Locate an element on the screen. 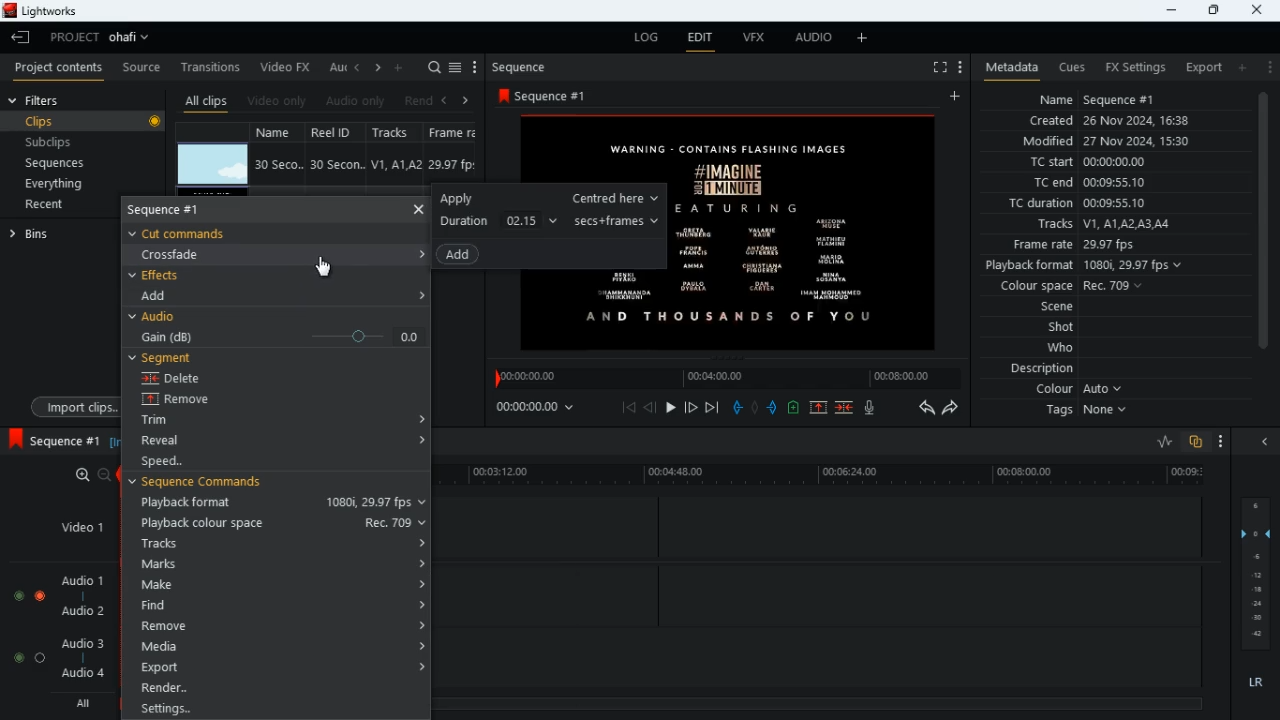  name is located at coordinates (280, 131).